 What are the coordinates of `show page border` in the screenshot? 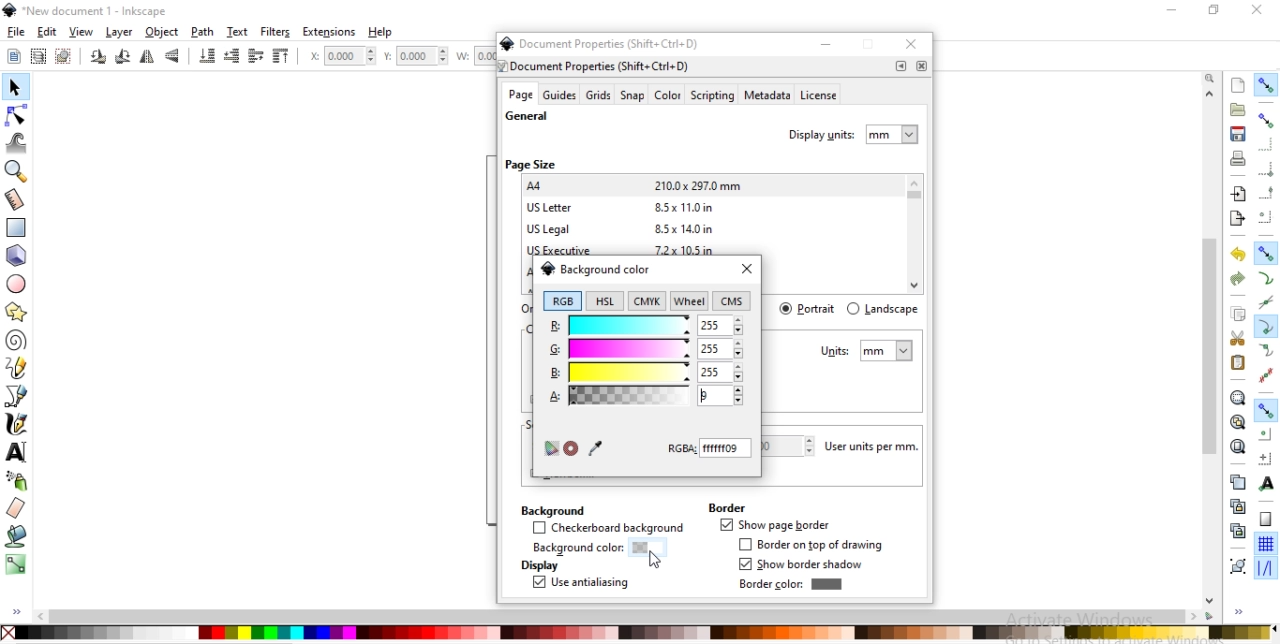 It's located at (774, 526).